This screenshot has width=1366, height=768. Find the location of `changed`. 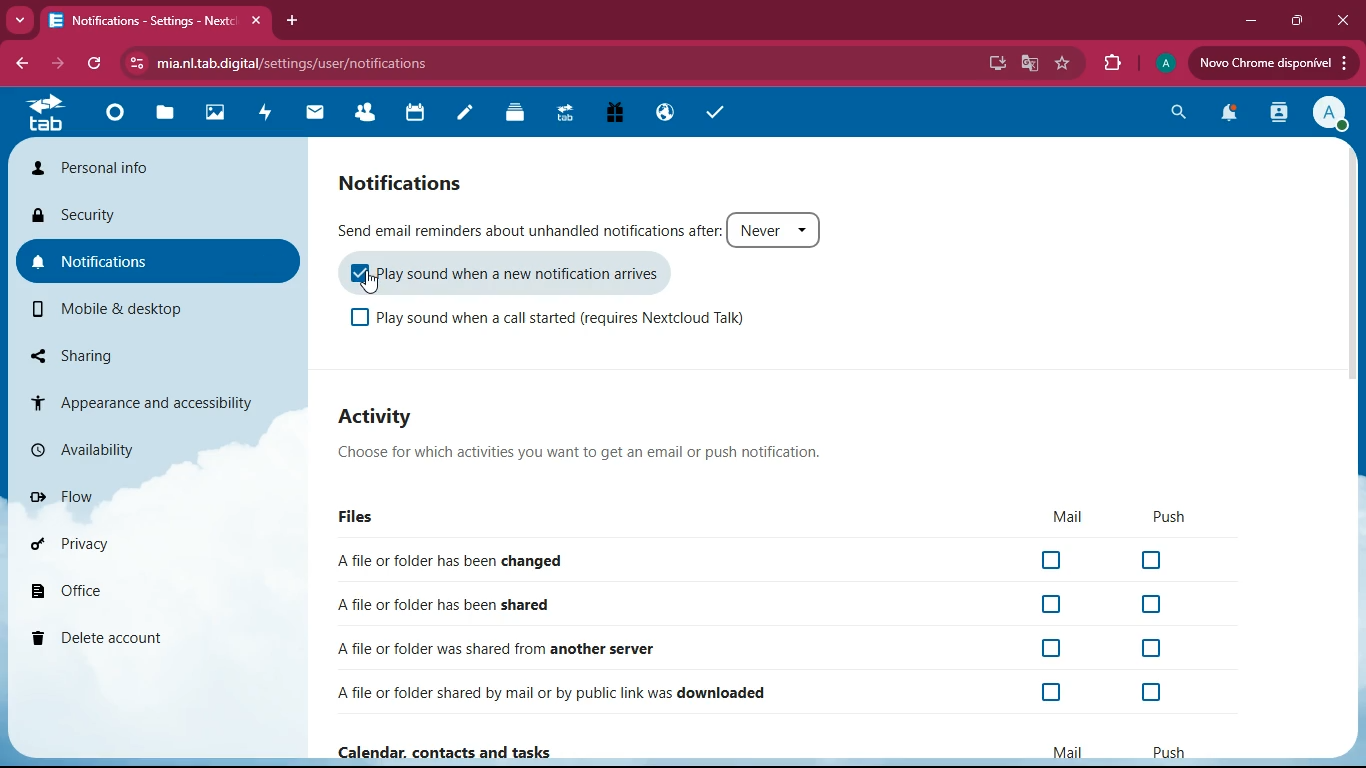

changed is located at coordinates (475, 560).